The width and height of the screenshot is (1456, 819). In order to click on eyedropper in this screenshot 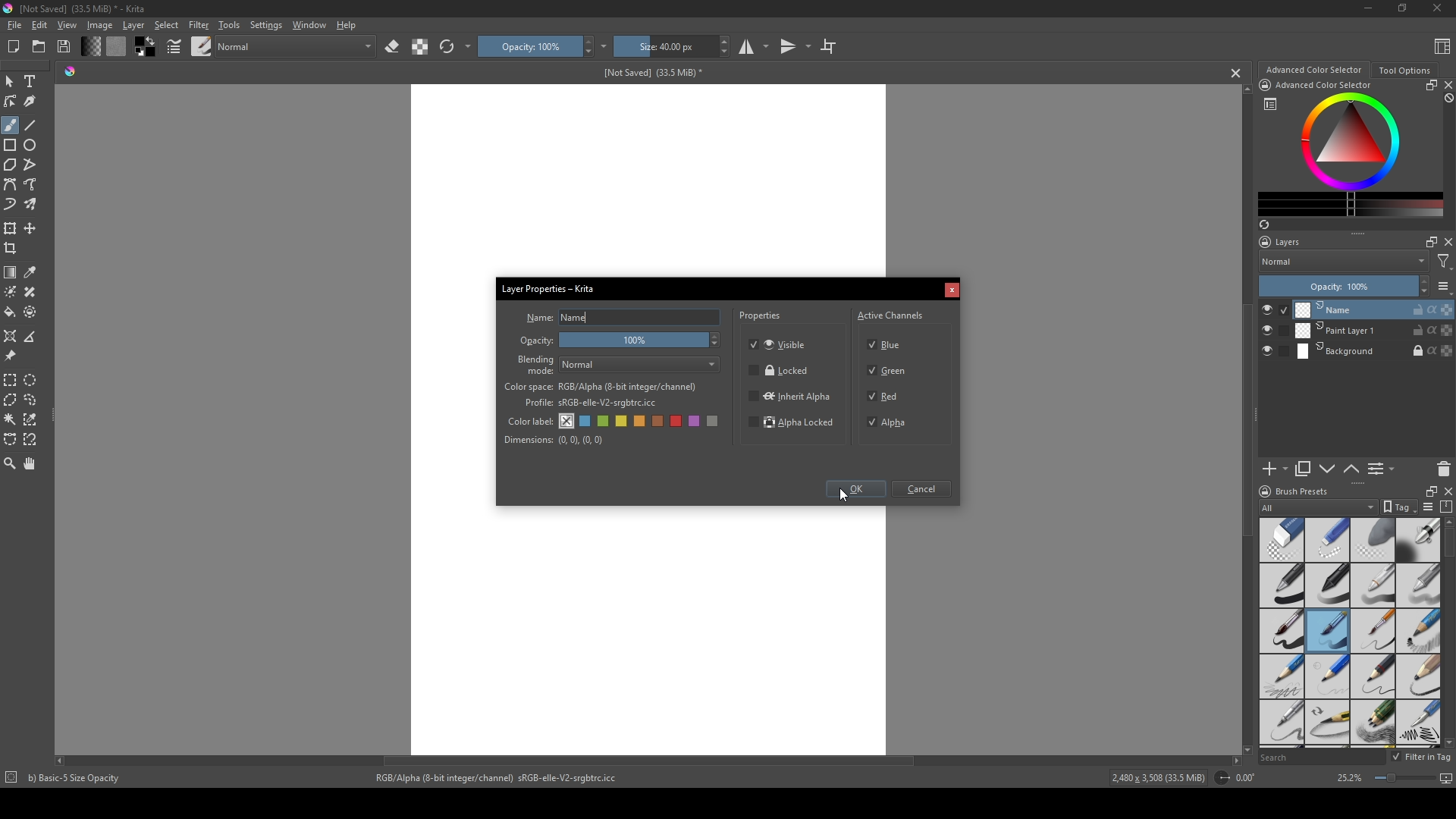, I will do `click(32, 272)`.